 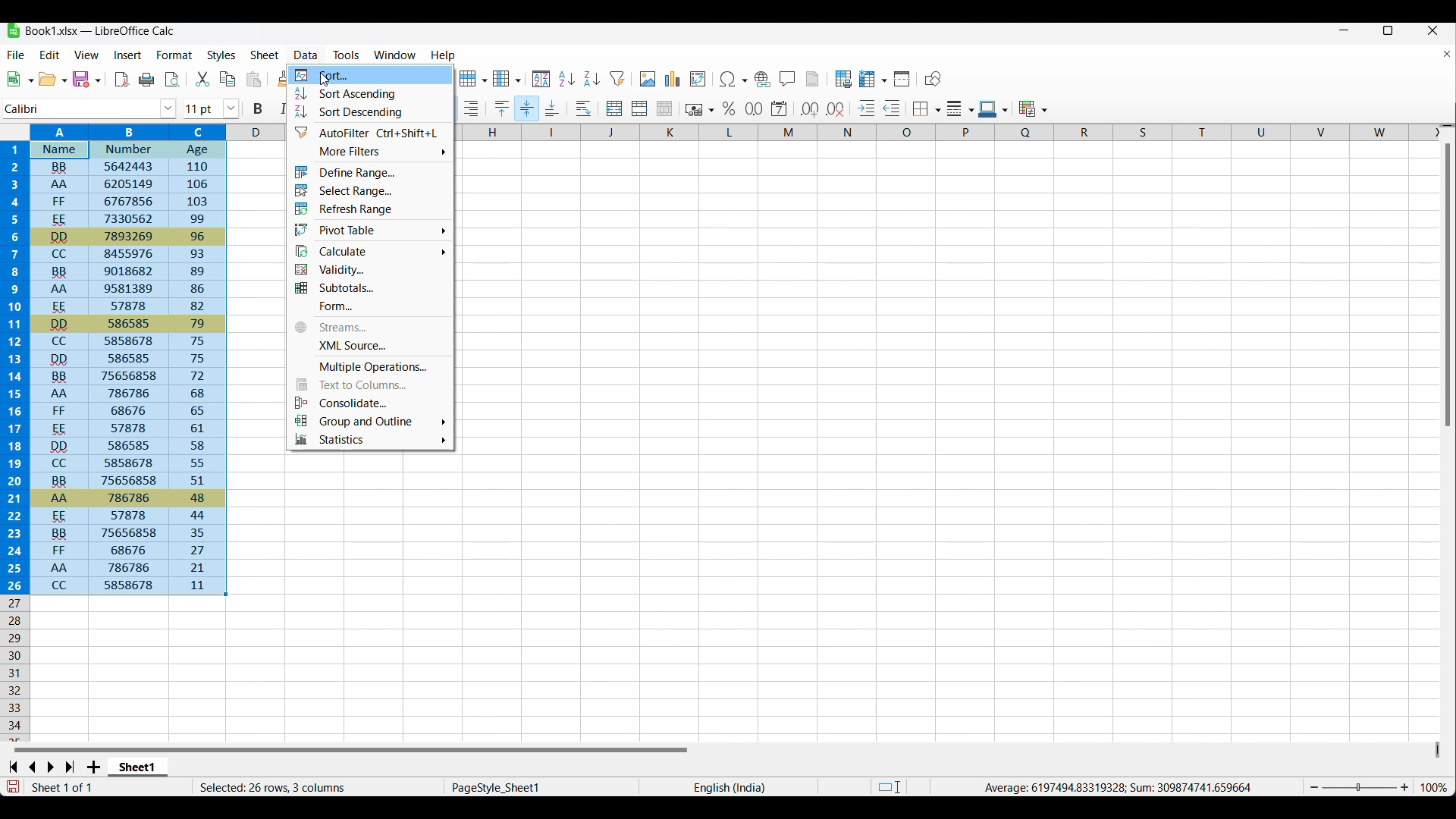 What do you see at coordinates (371, 93) in the screenshot?
I see `Sort ascending` at bounding box center [371, 93].